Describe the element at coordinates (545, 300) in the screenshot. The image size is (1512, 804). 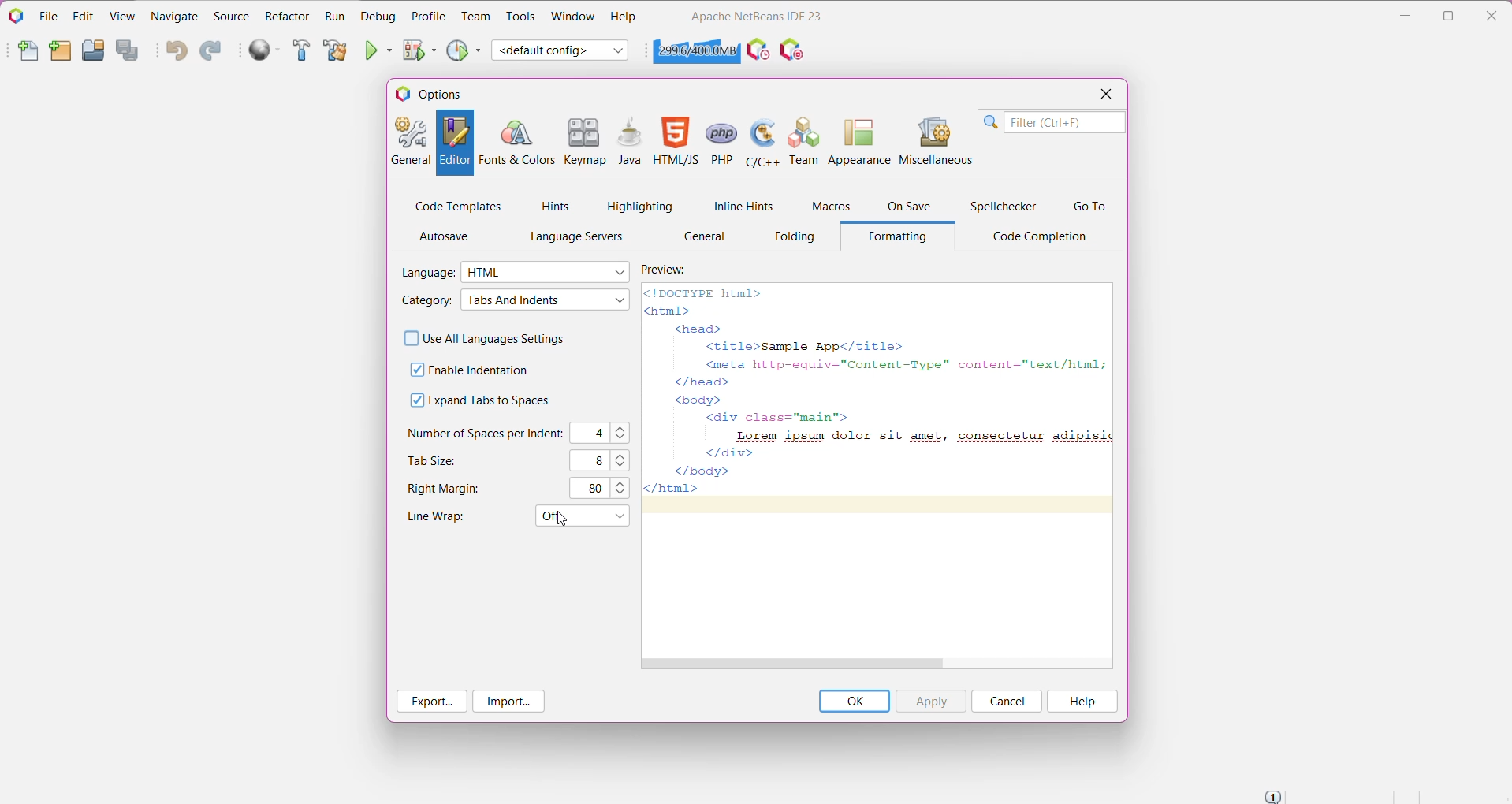
I see `Select required Category` at that location.